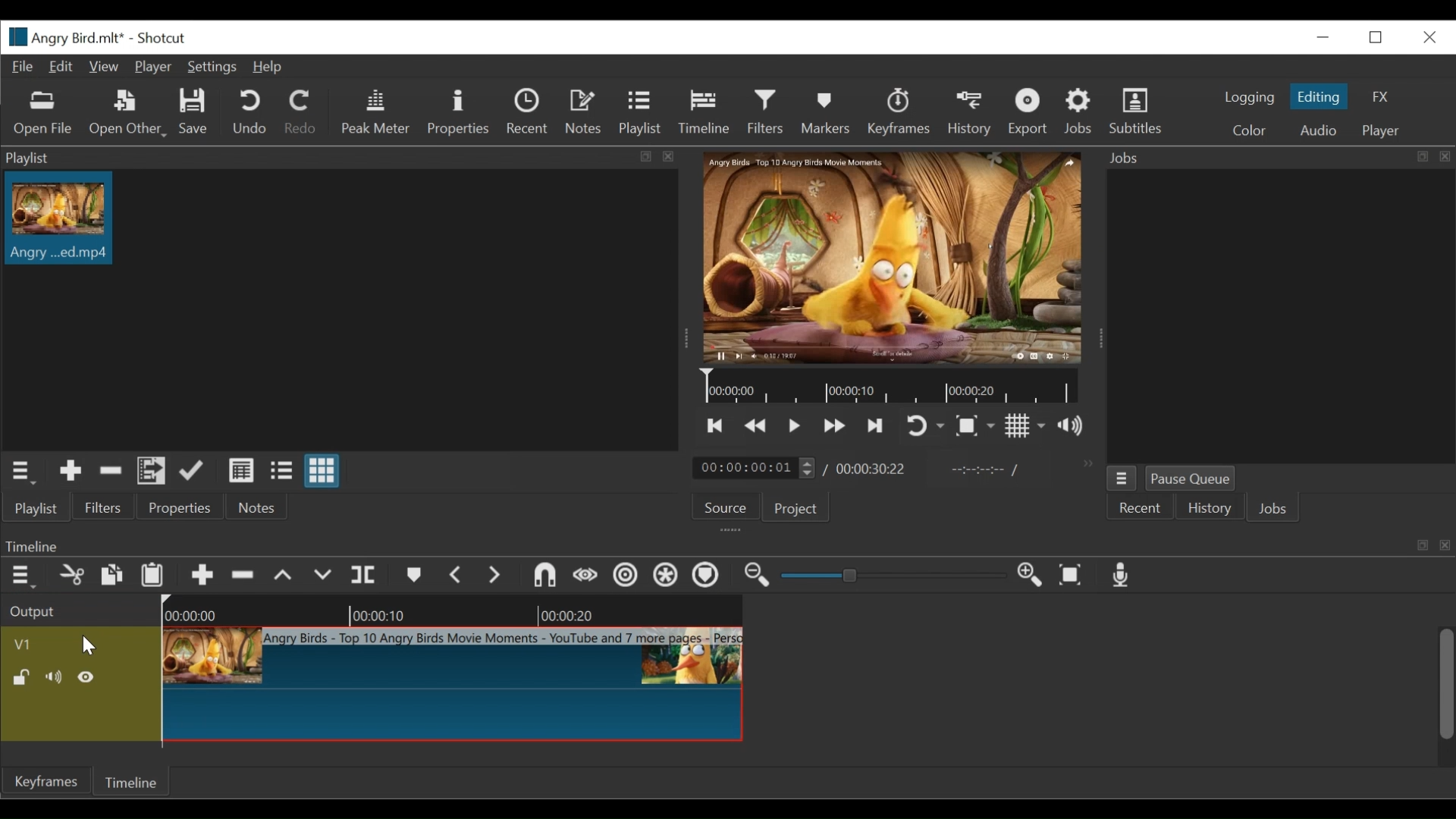  What do you see at coordinates (729, 544) in the screenshot?
I see `Timeline Panel` at bounding box center [729, 544].